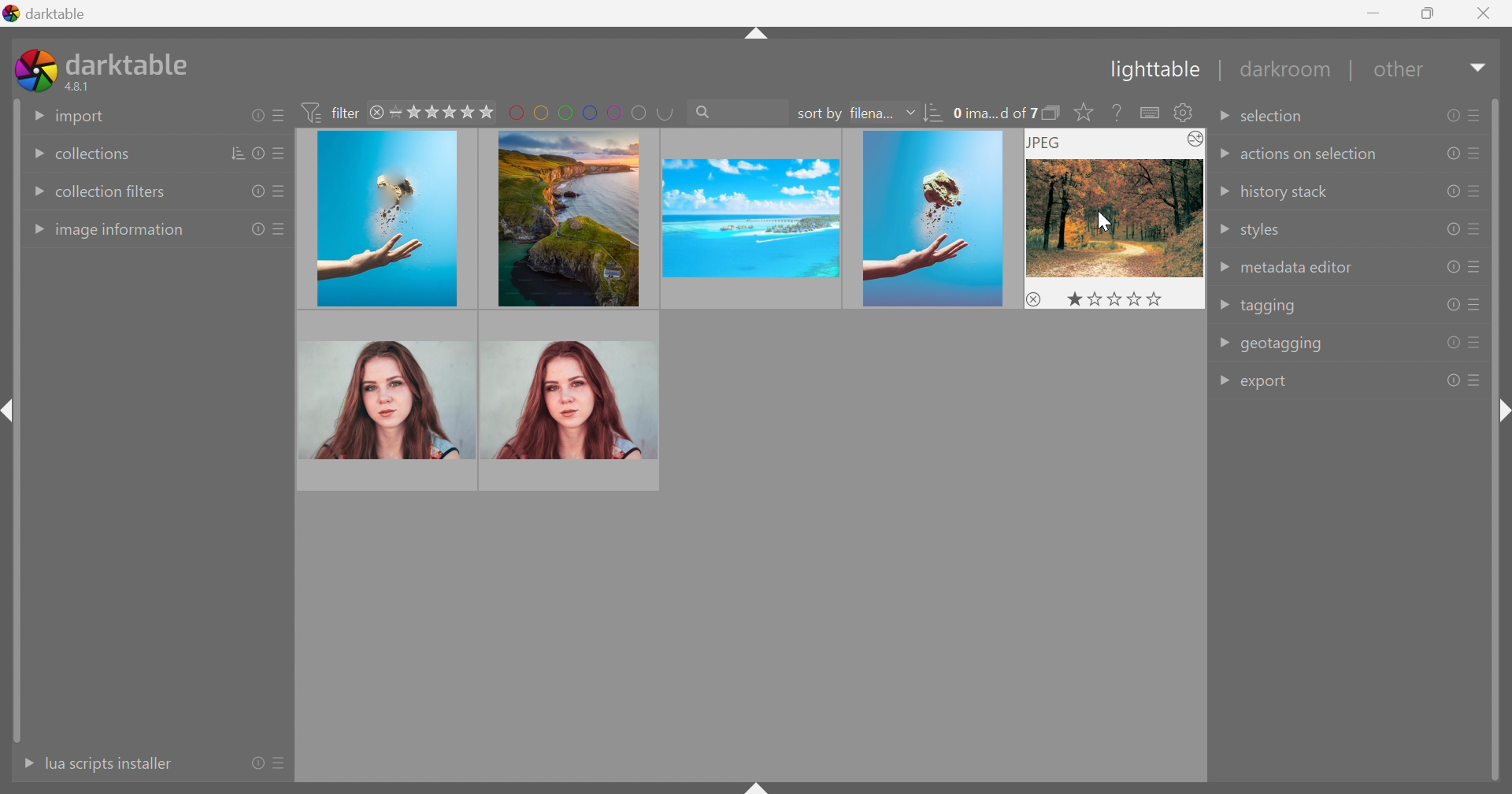 The height and width of the screenshot is (794, 1512). I want to click on image, so click(933, 219).